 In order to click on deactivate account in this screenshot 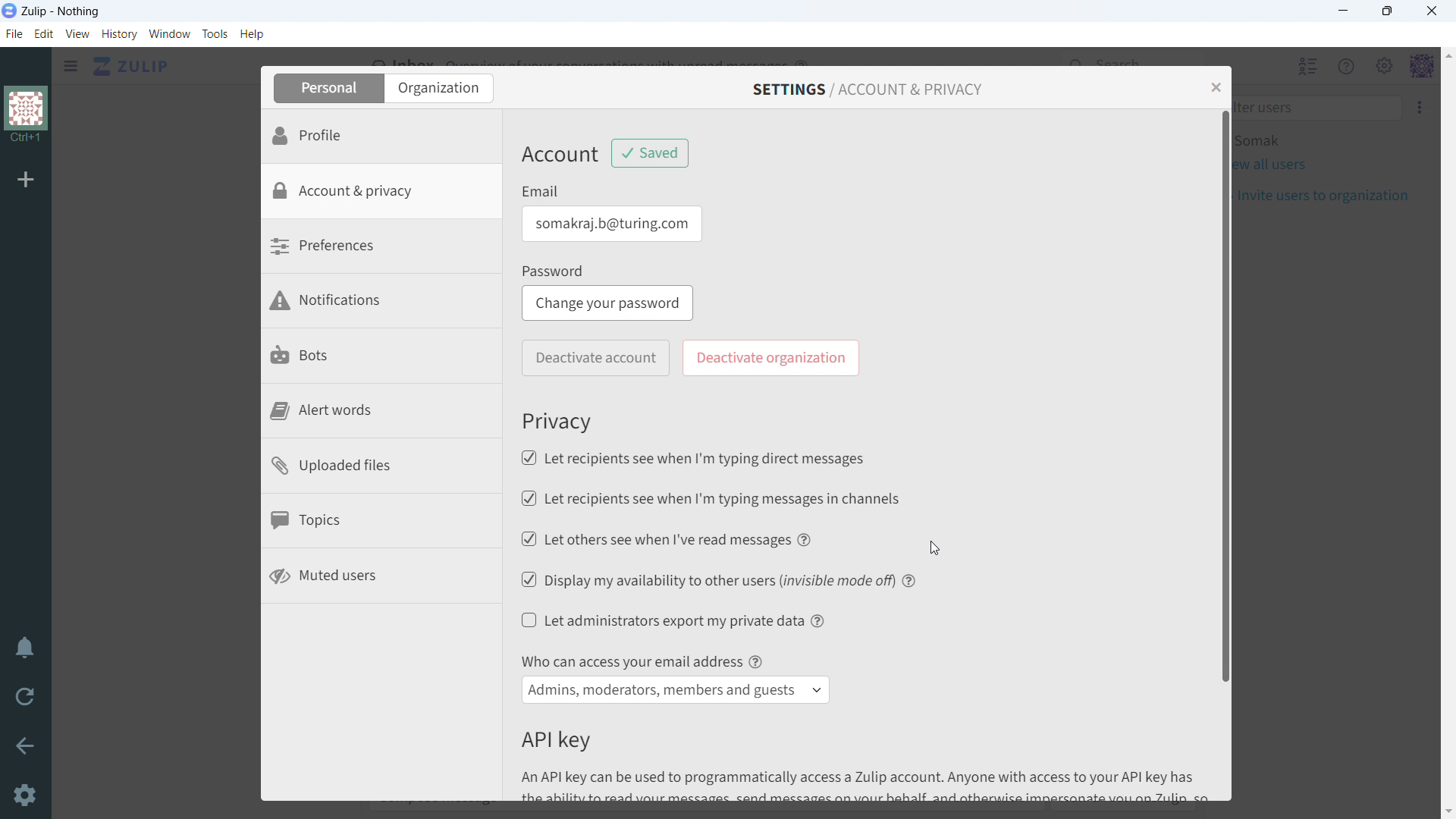, I will do `click(600, 359)`.